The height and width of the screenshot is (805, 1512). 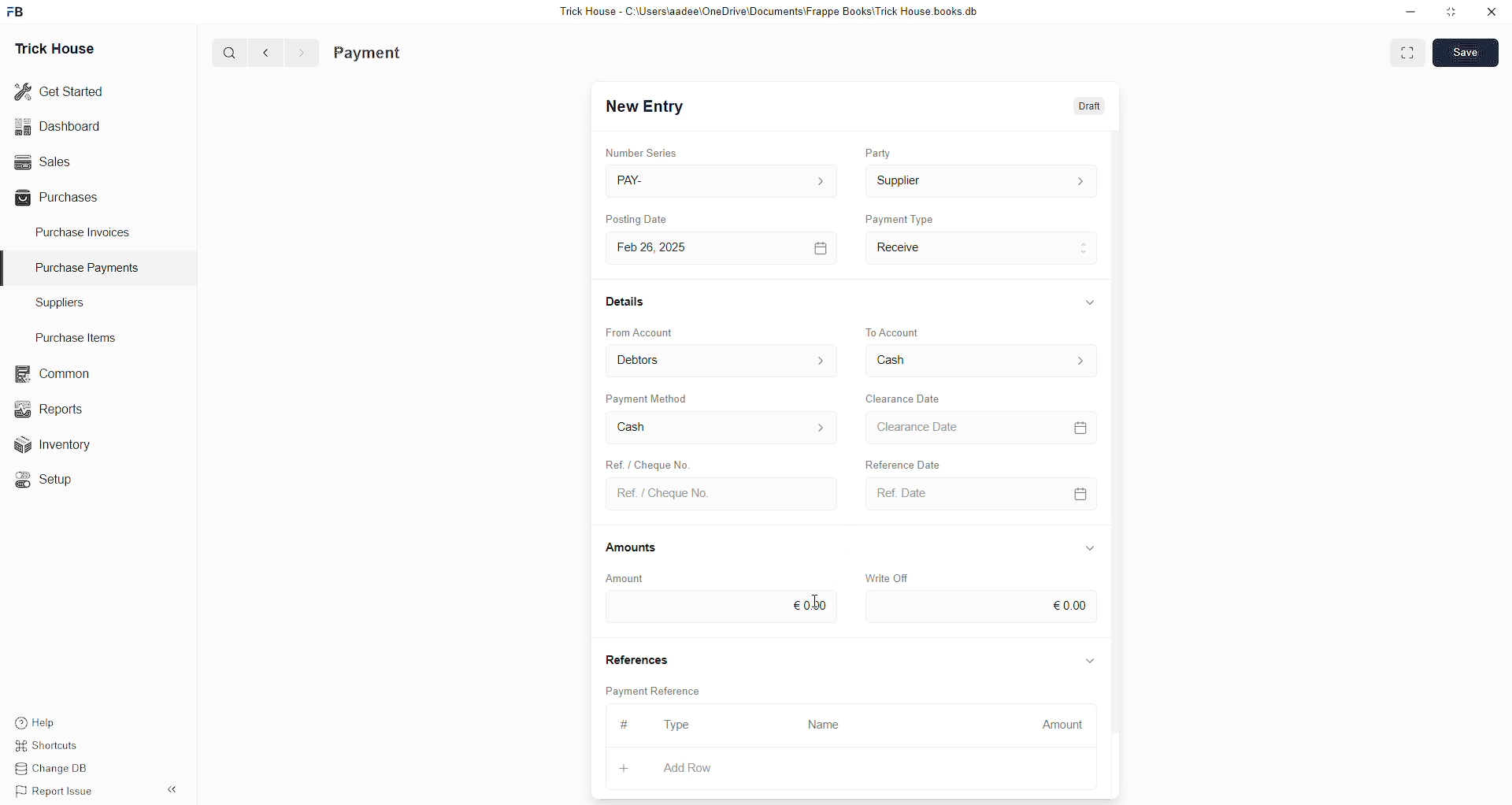 What do you see at coordinates (720, 608) in the screenshot?
I see `€0.00` at bounding box center [720, 608].